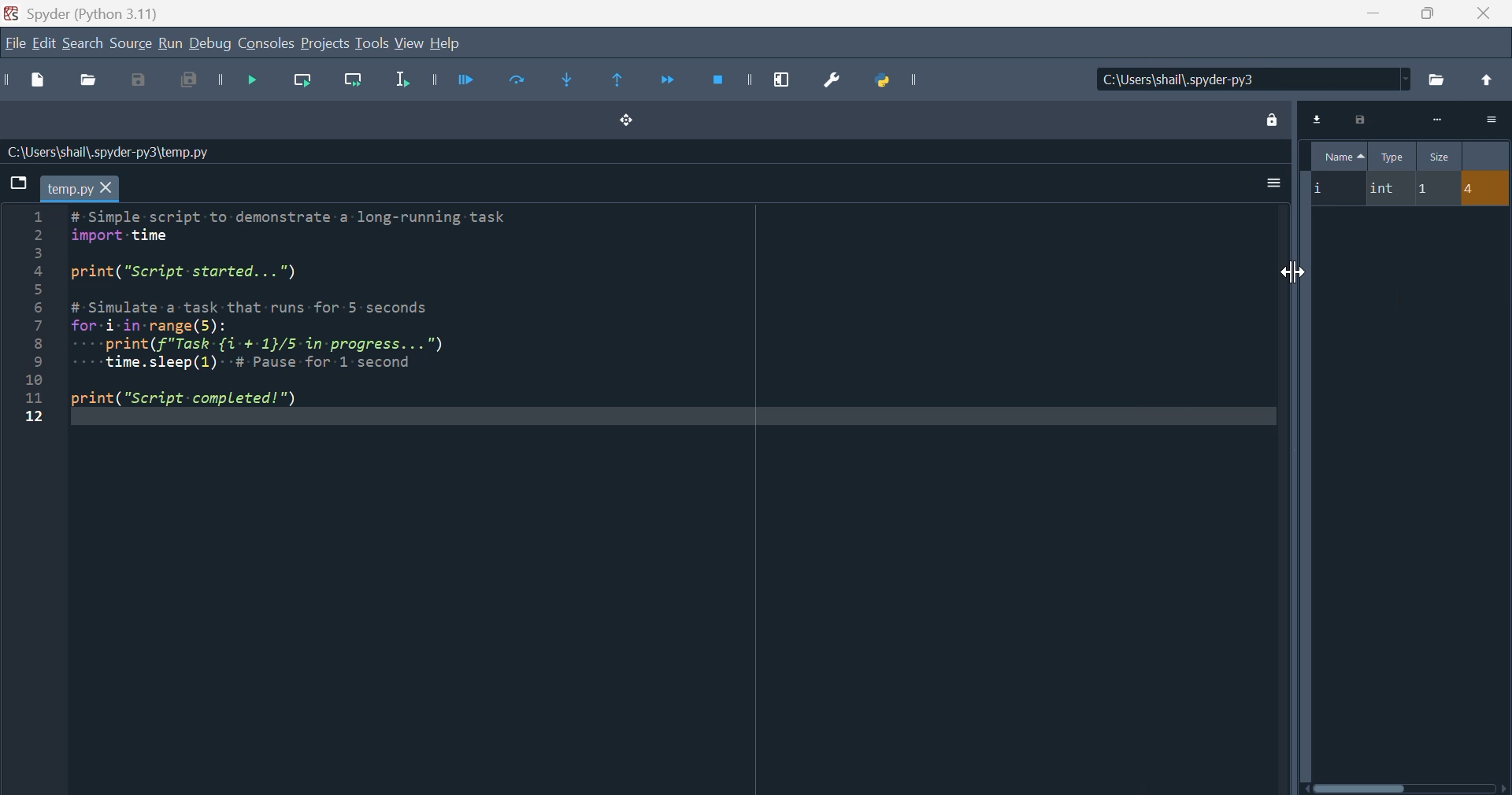  Describe the element at coordinates (450, 79) in the screenshot. I see `run file` at that location.